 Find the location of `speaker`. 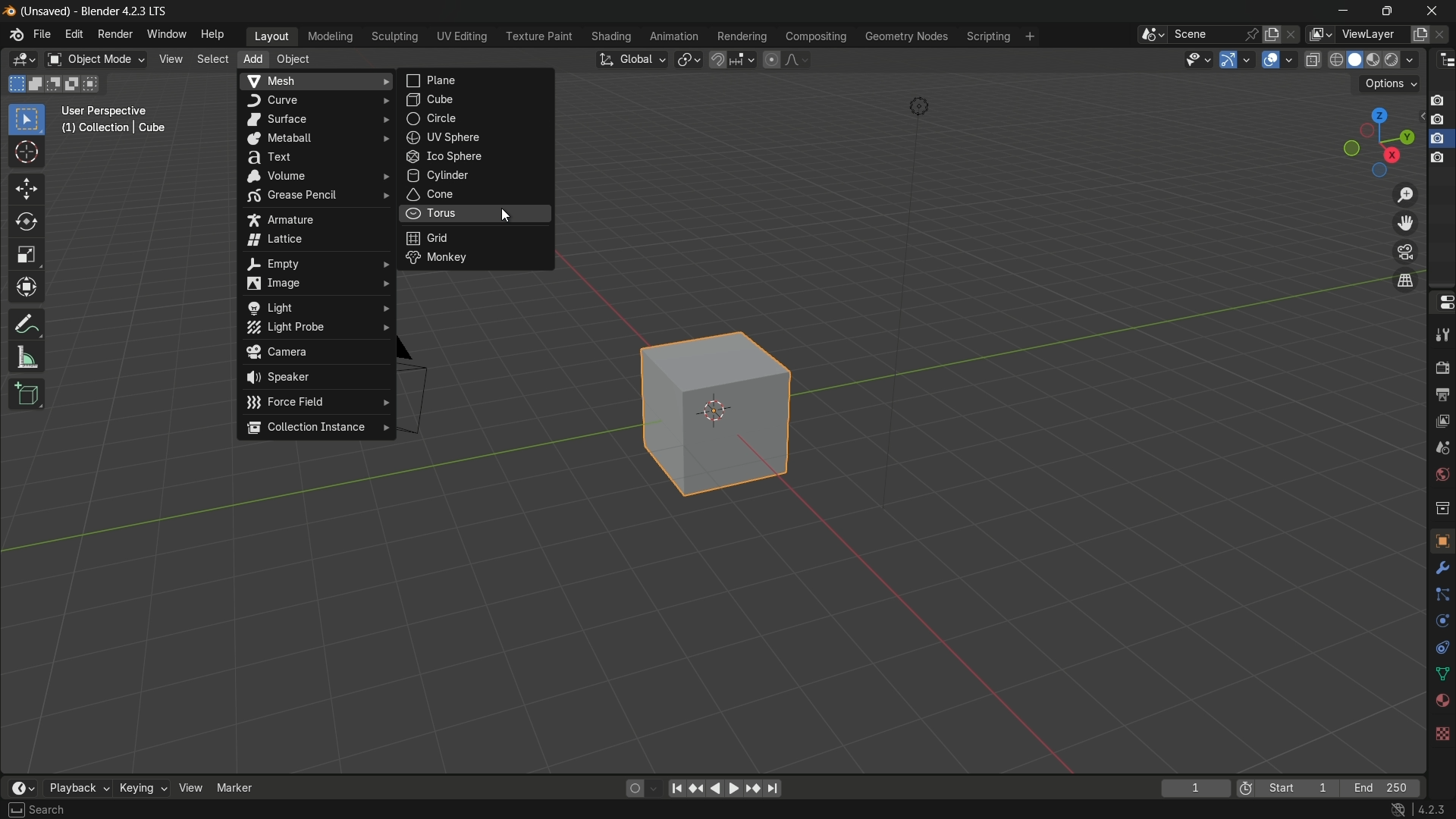

speaker is located at coordinates (315, 378).